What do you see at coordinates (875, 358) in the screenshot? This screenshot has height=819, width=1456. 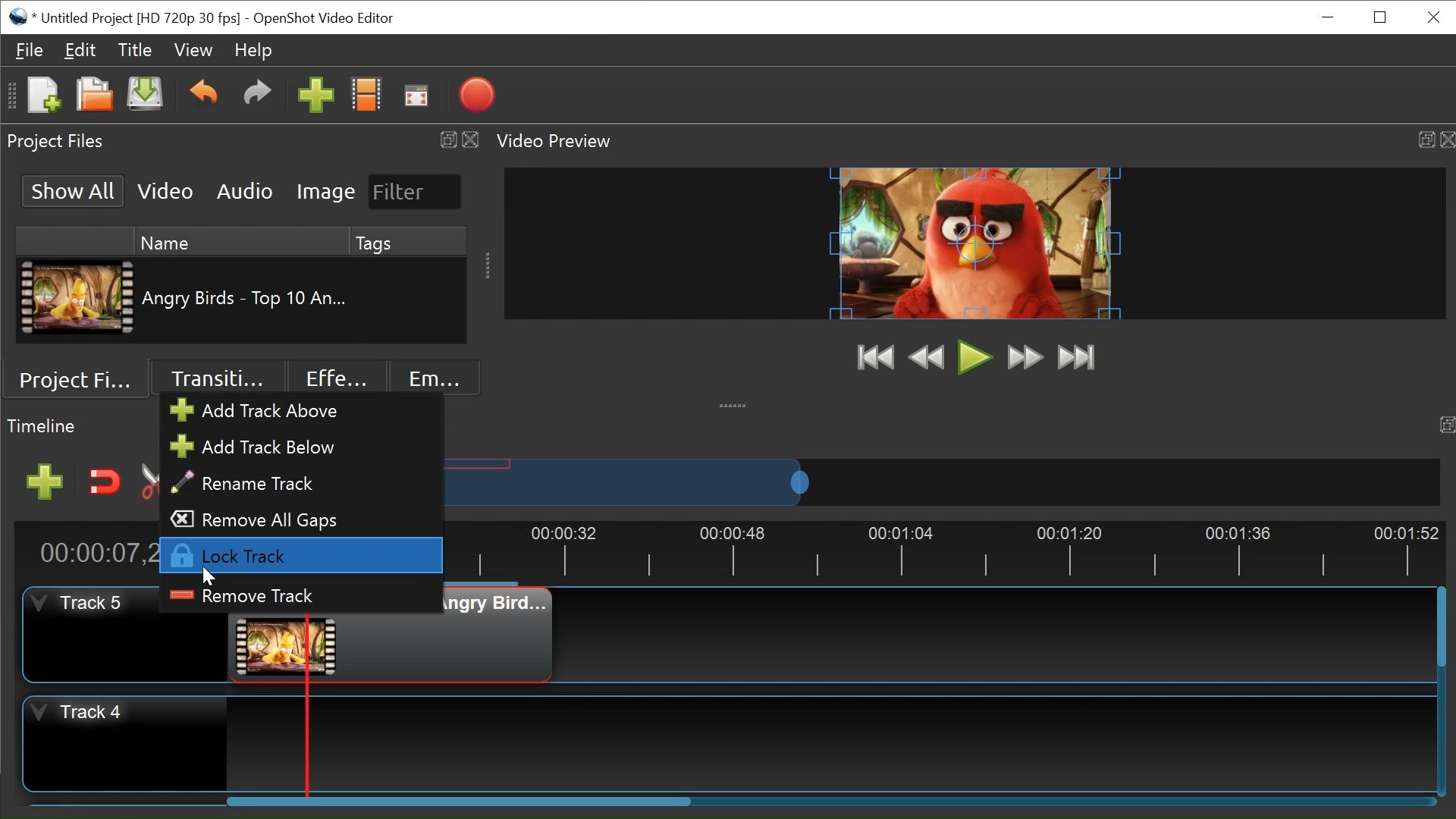 I see `Jump to Start` at bounding box center [875, 358].